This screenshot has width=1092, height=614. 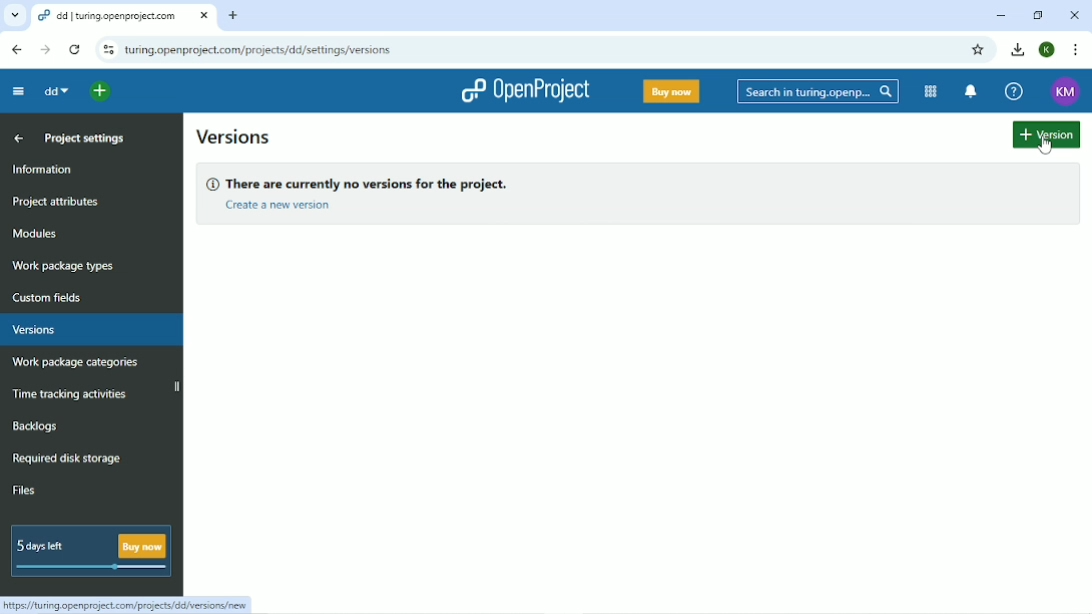 What do you see at coordinates (67, 459) in the screenshot?
I see `Required disk storage` at bounding box center [67, 459].